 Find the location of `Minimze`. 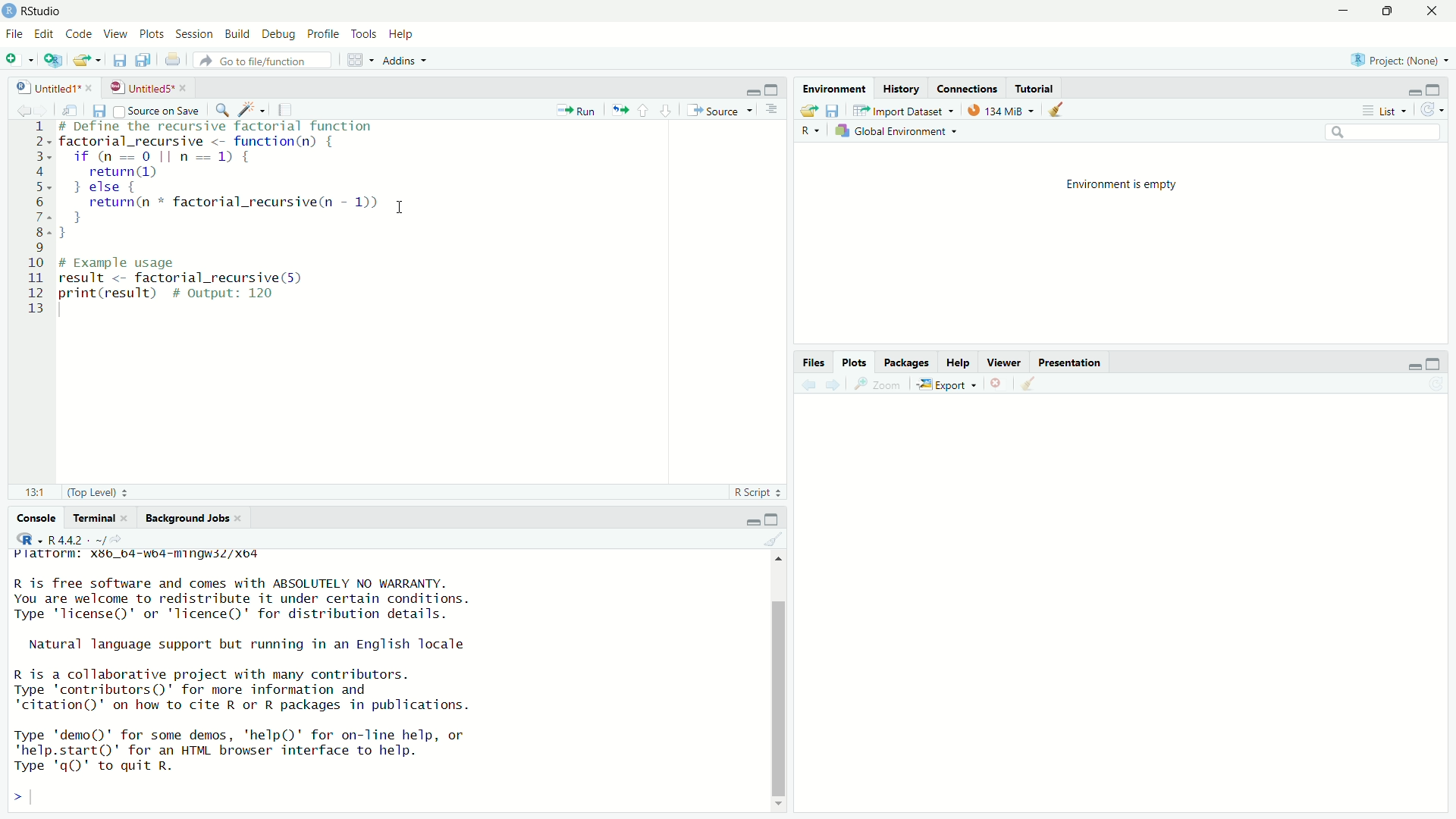

Minimze is located at coordinates (752, 91).